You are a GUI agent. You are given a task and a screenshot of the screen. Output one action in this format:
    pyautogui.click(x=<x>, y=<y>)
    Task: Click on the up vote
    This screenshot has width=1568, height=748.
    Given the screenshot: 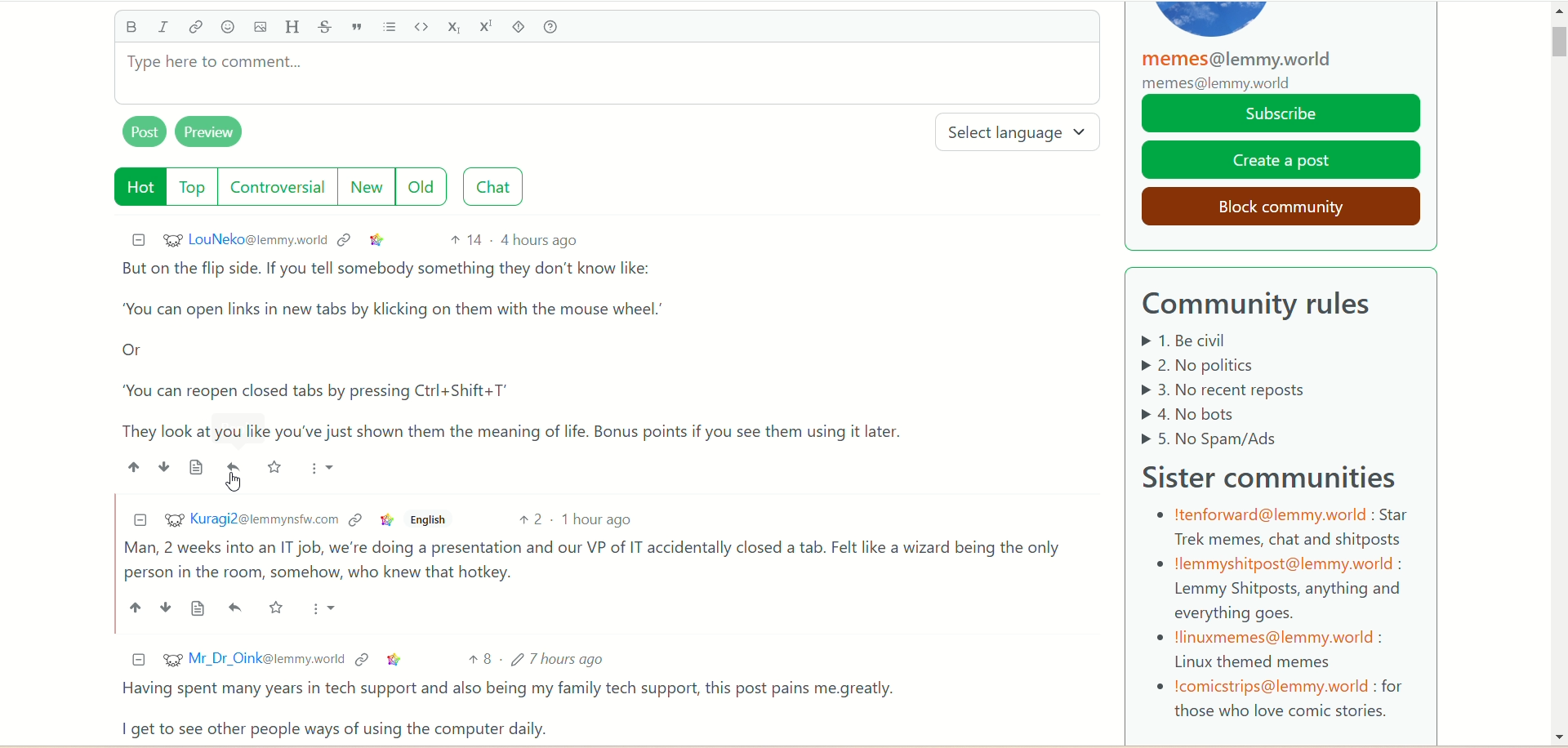 What is the action you would take?
    pyautogui.click(x=132, y=608)
    